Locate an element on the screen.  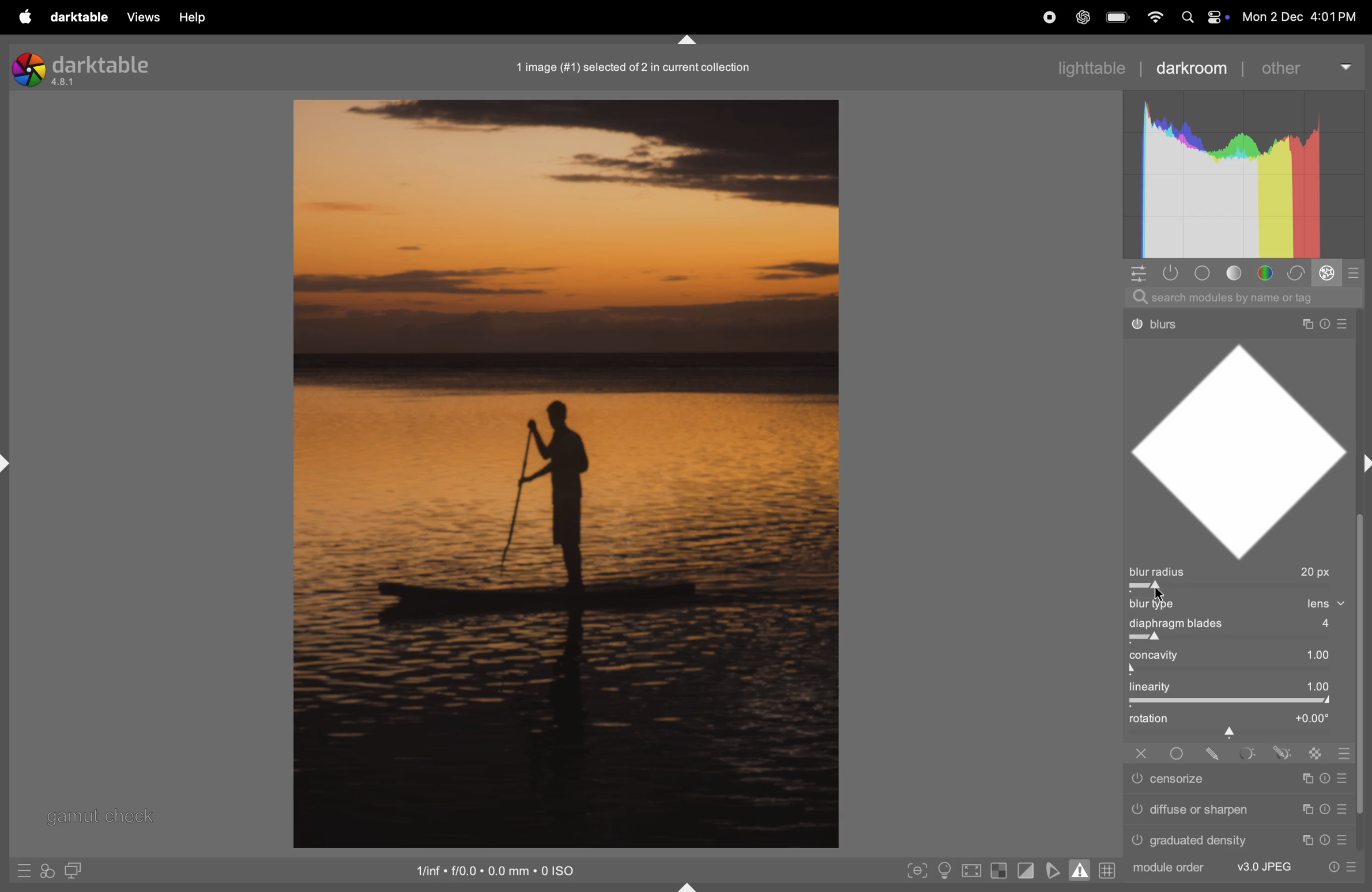
record is located at coordinates (1047, 17).